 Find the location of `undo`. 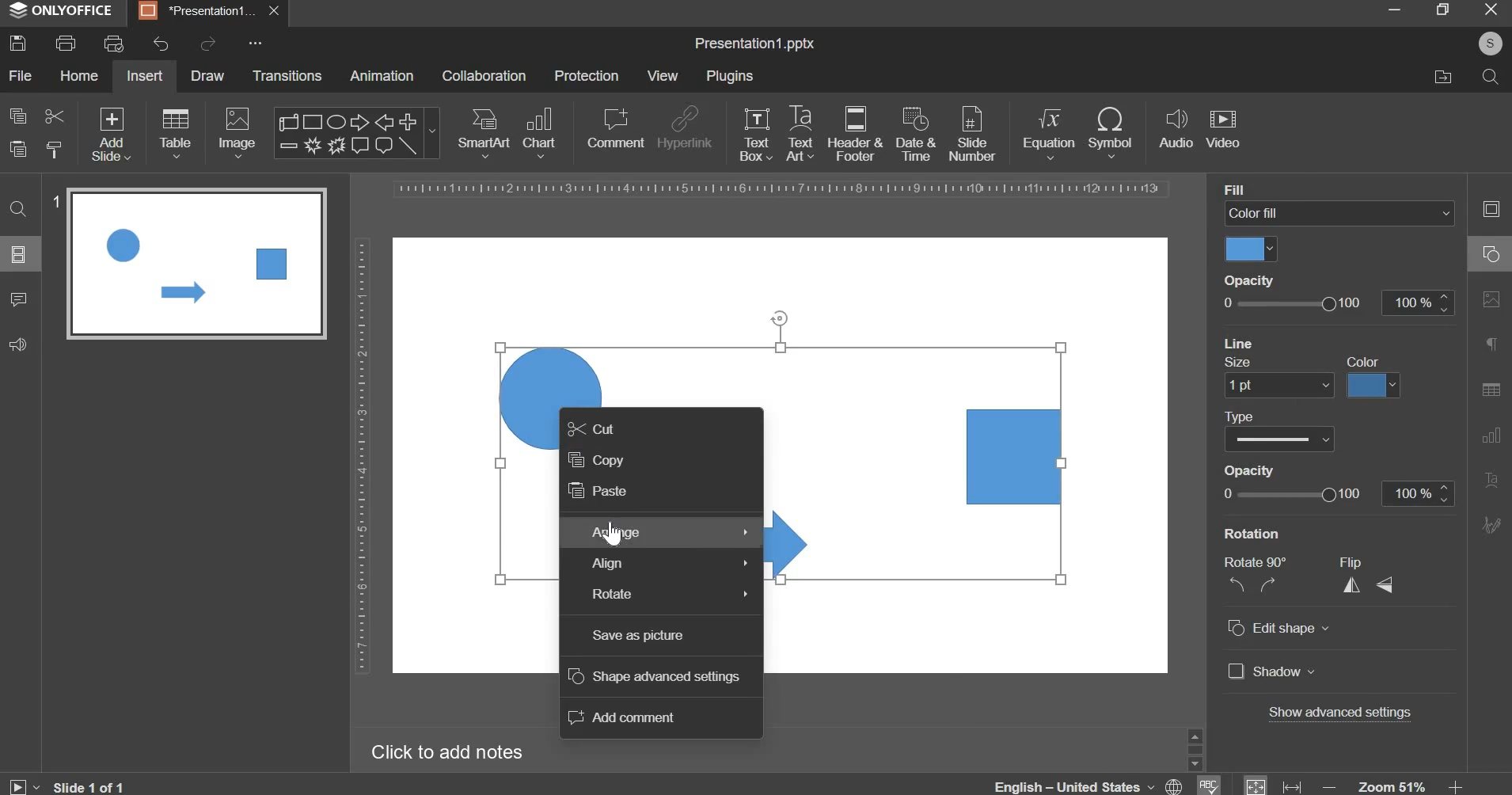

undo is located at coordinates (161, 44).